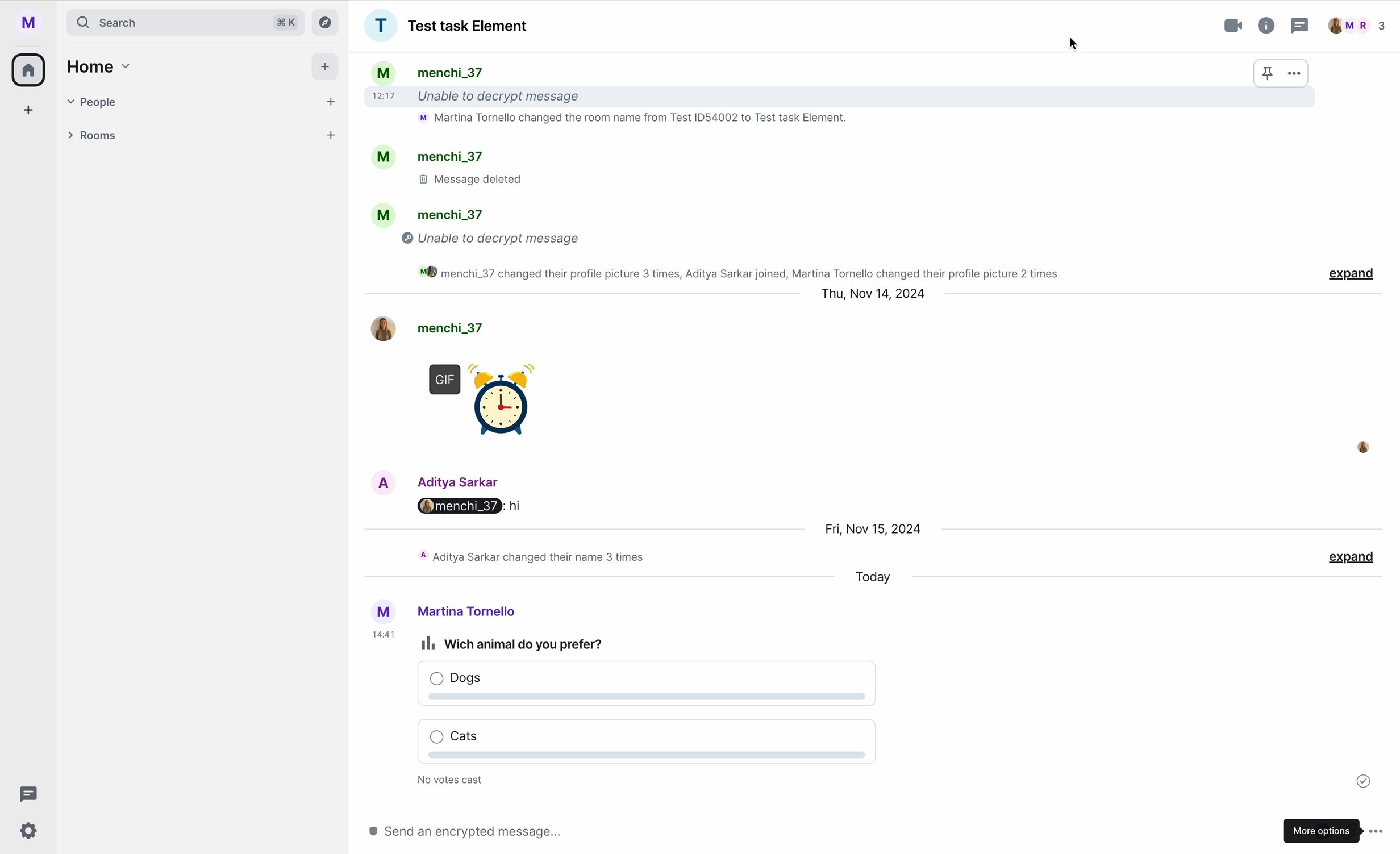 Image resolution: width=1400 pixels, height=854 pixels. Describe the element at coordinates (640, 745) in the screenshot. I see `cats` at that location.